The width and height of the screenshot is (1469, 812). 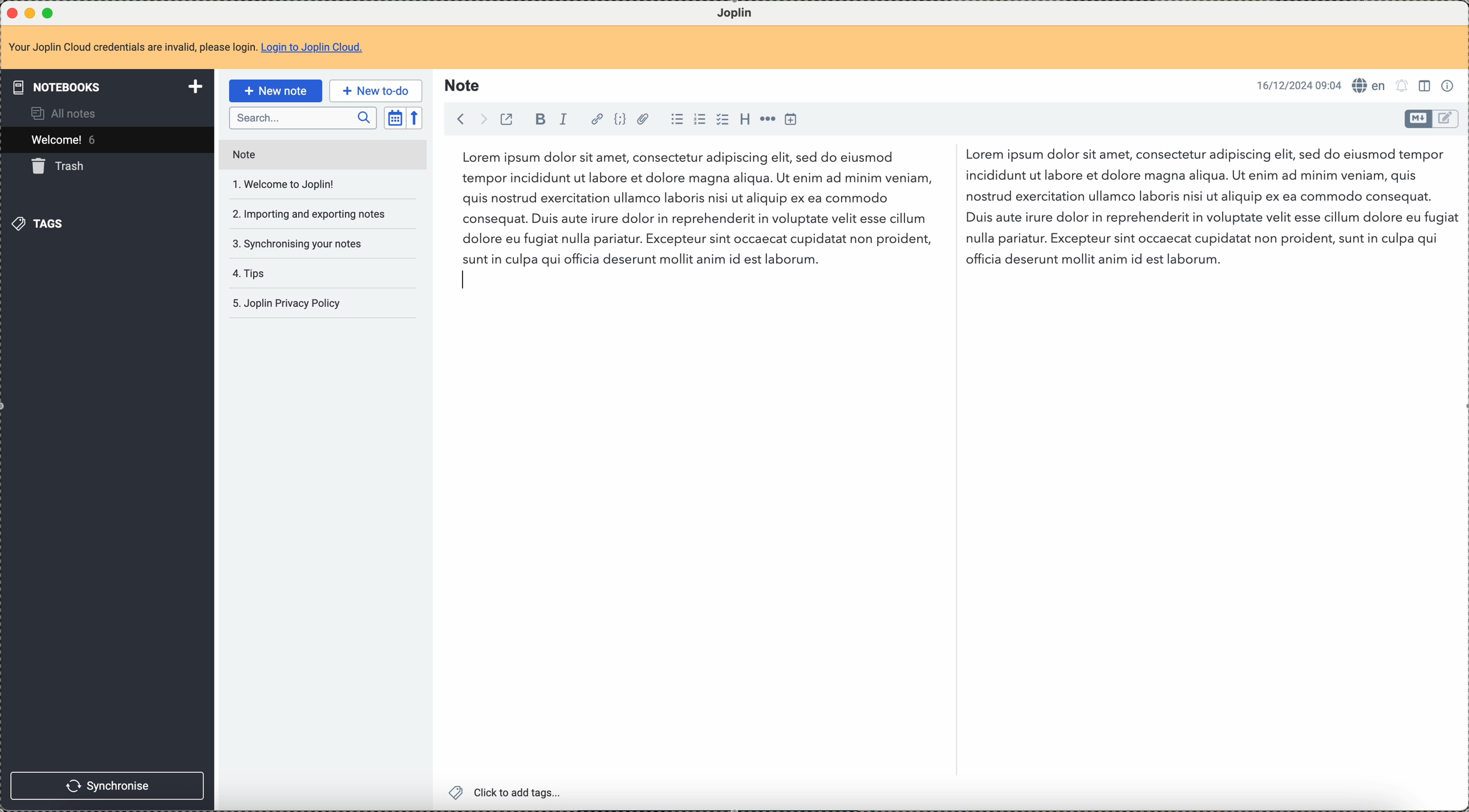 What do you see at coordinates (769, 121) in the screenshot?
I see `horizontal rule` at bounding box center [769, 121].